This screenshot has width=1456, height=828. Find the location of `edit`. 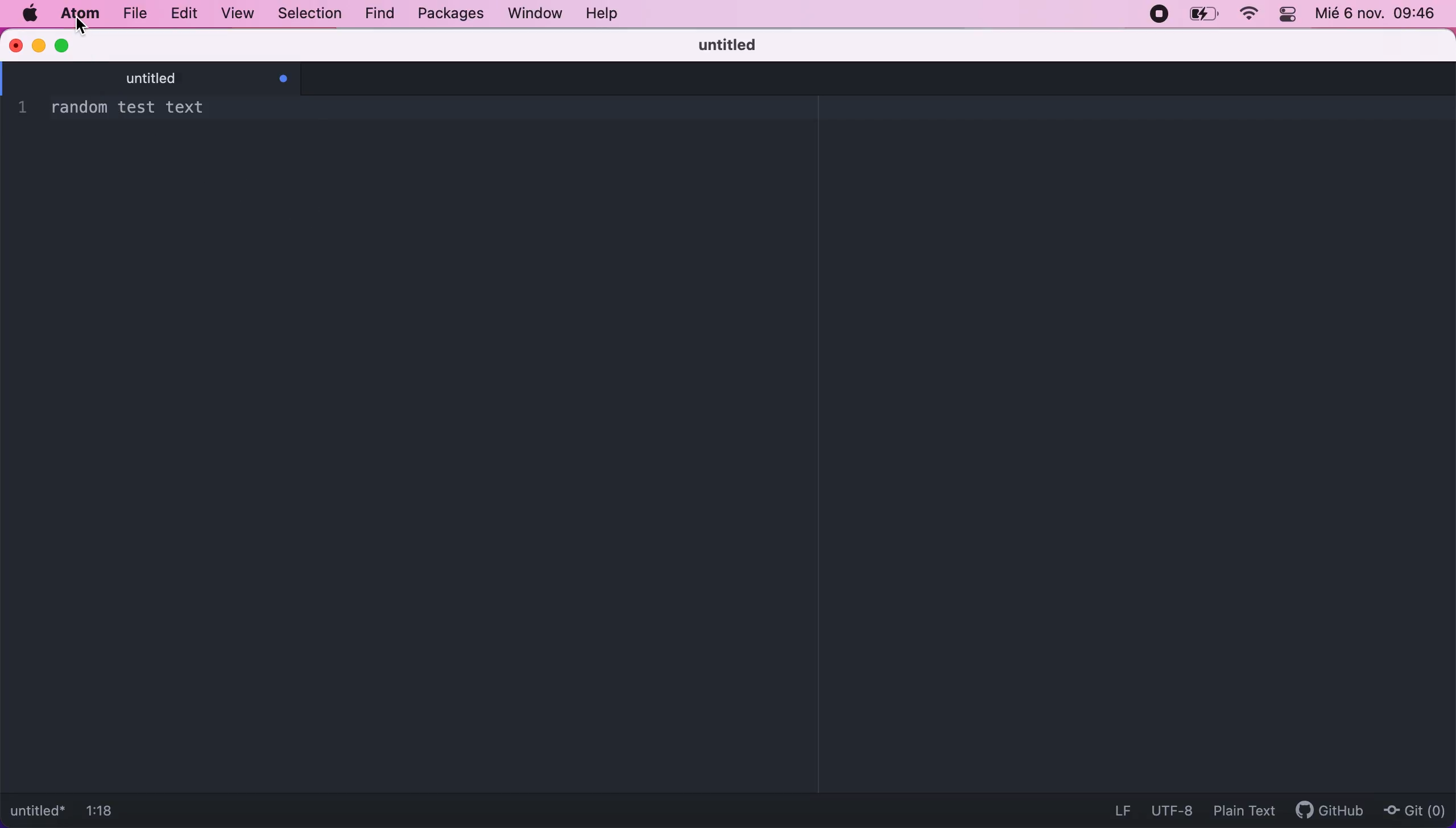

edit is located at coordinates (182, 15).